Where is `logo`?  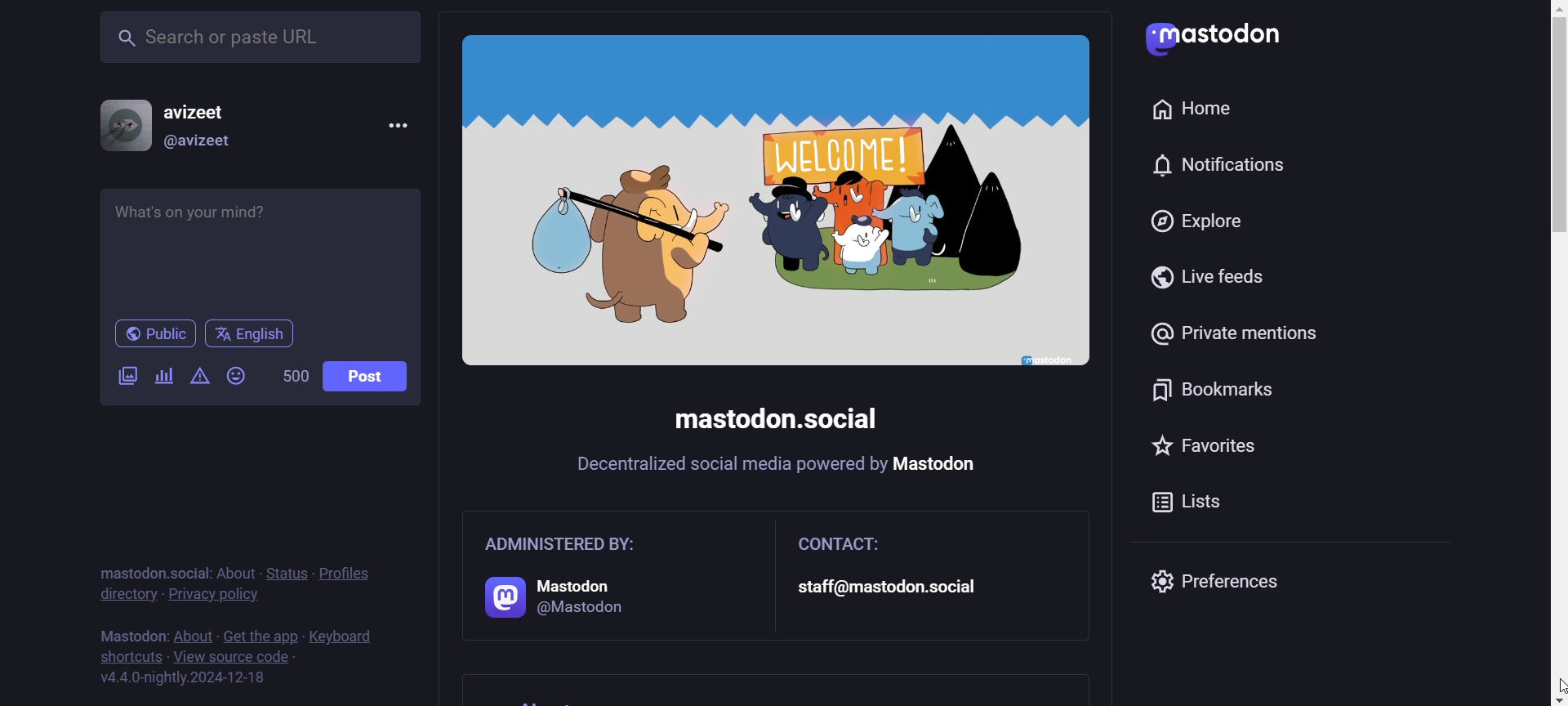 logo is located at coordinates (497, 598).